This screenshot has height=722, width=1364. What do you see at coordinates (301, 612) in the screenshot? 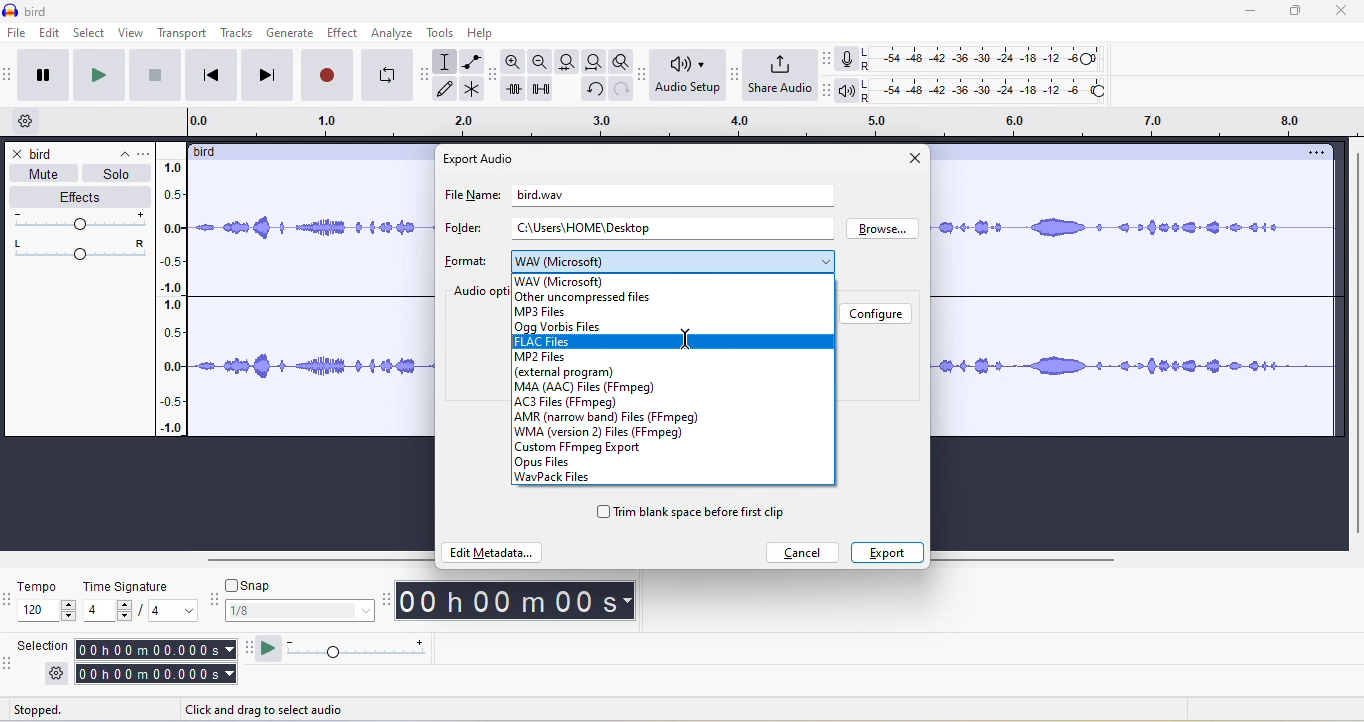
I see `snap` at bounding box center [301, 612].